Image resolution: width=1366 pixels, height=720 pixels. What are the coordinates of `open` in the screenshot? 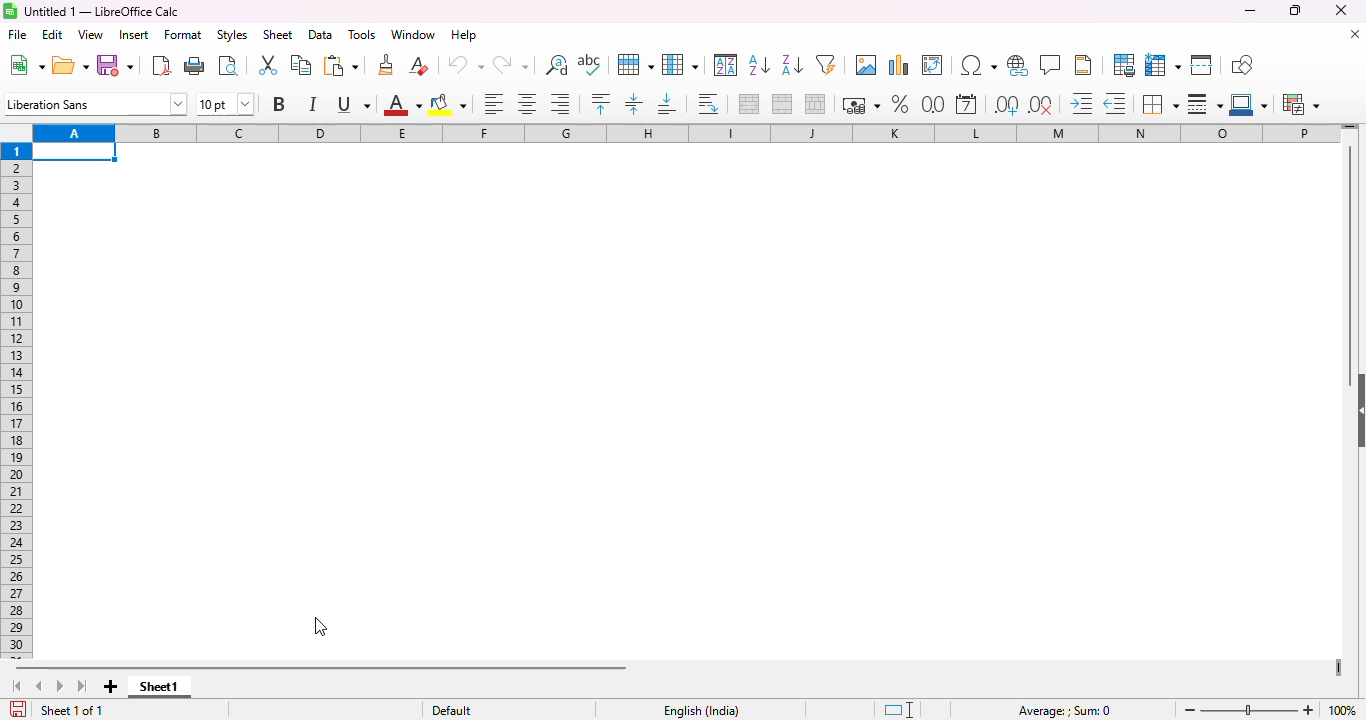 It's located at (70, 66).